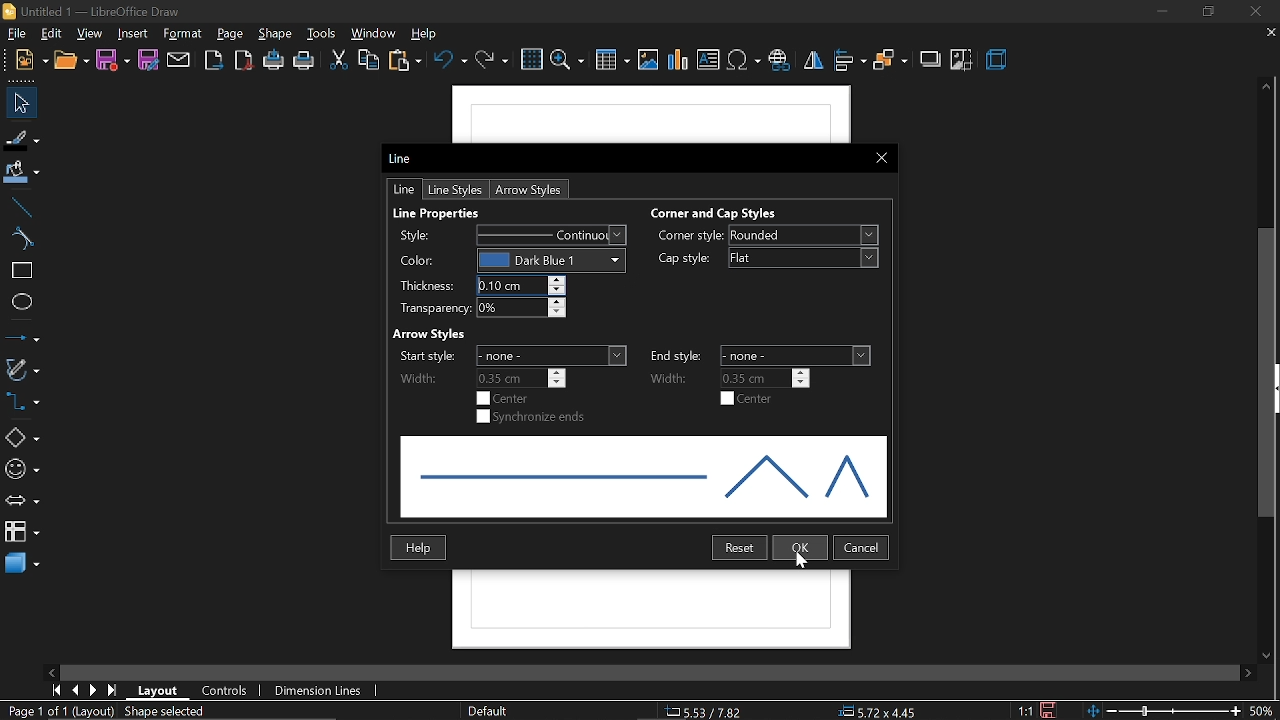 Image resolution: width=1280 pixels, height=720 pixels. I want to click on line style, so click(454, 189).